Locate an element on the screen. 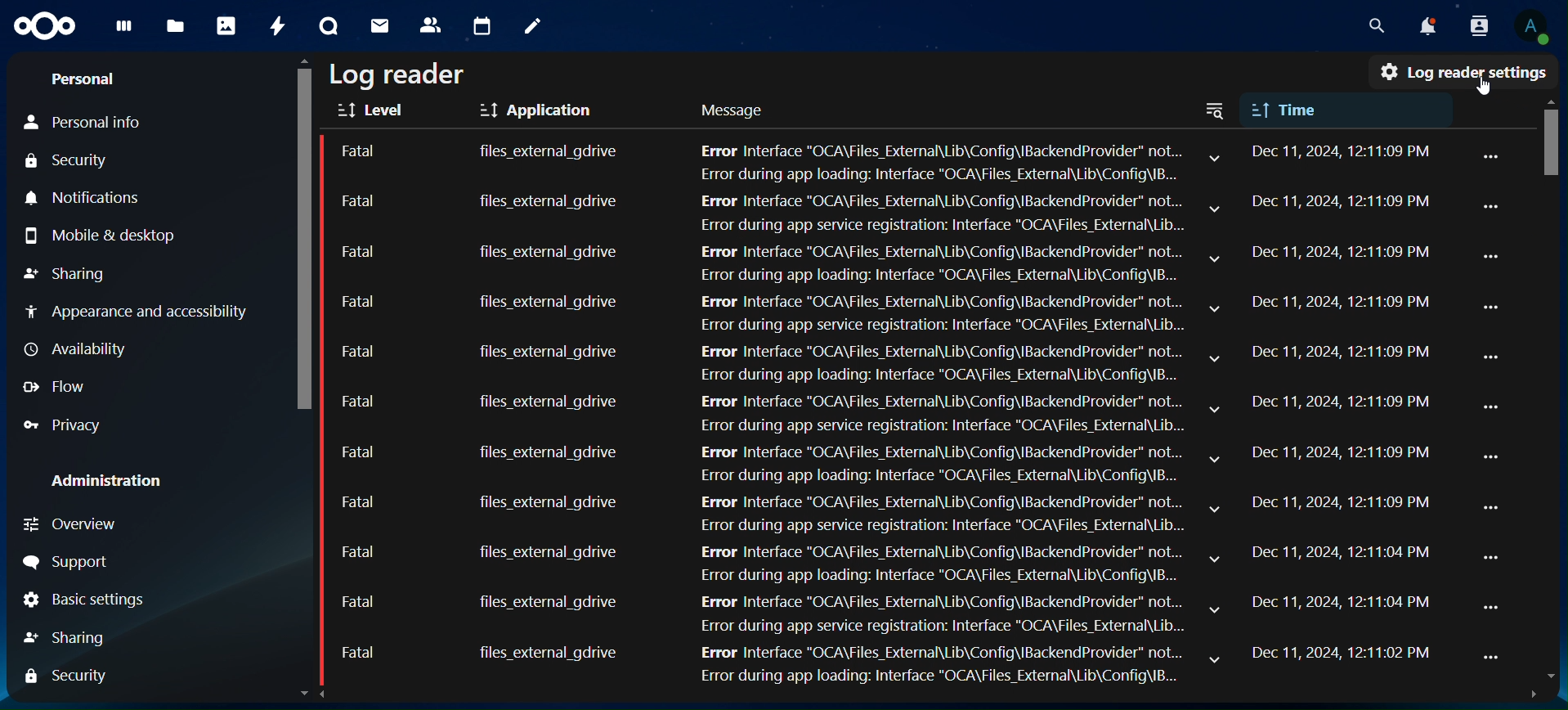 Image resolution: width=1568 pixels, height=710 pixels. ... is located at coordinates (1491, 607).